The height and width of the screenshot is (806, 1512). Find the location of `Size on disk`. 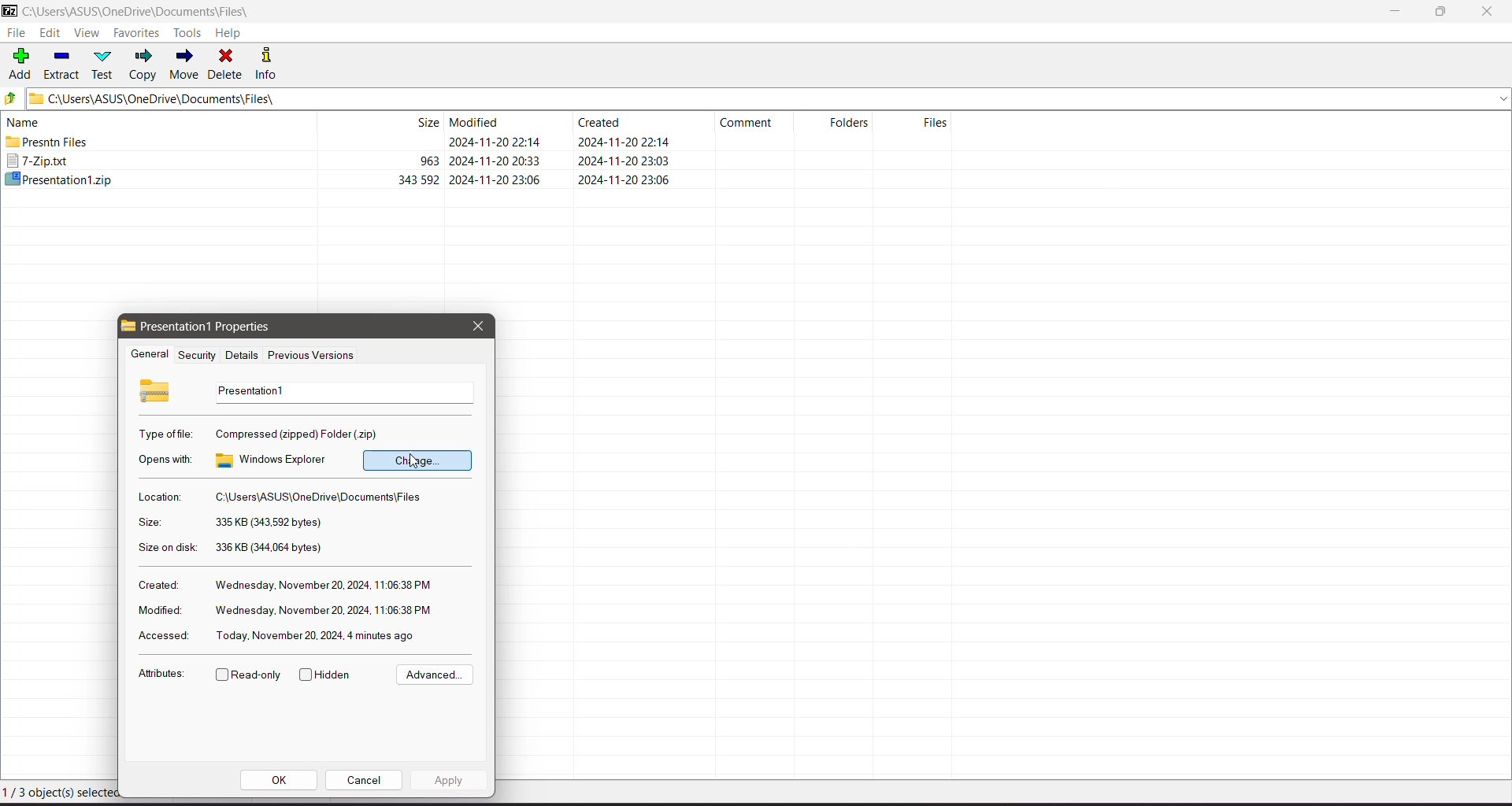

Size on disk is located at coordinates (168, 549).